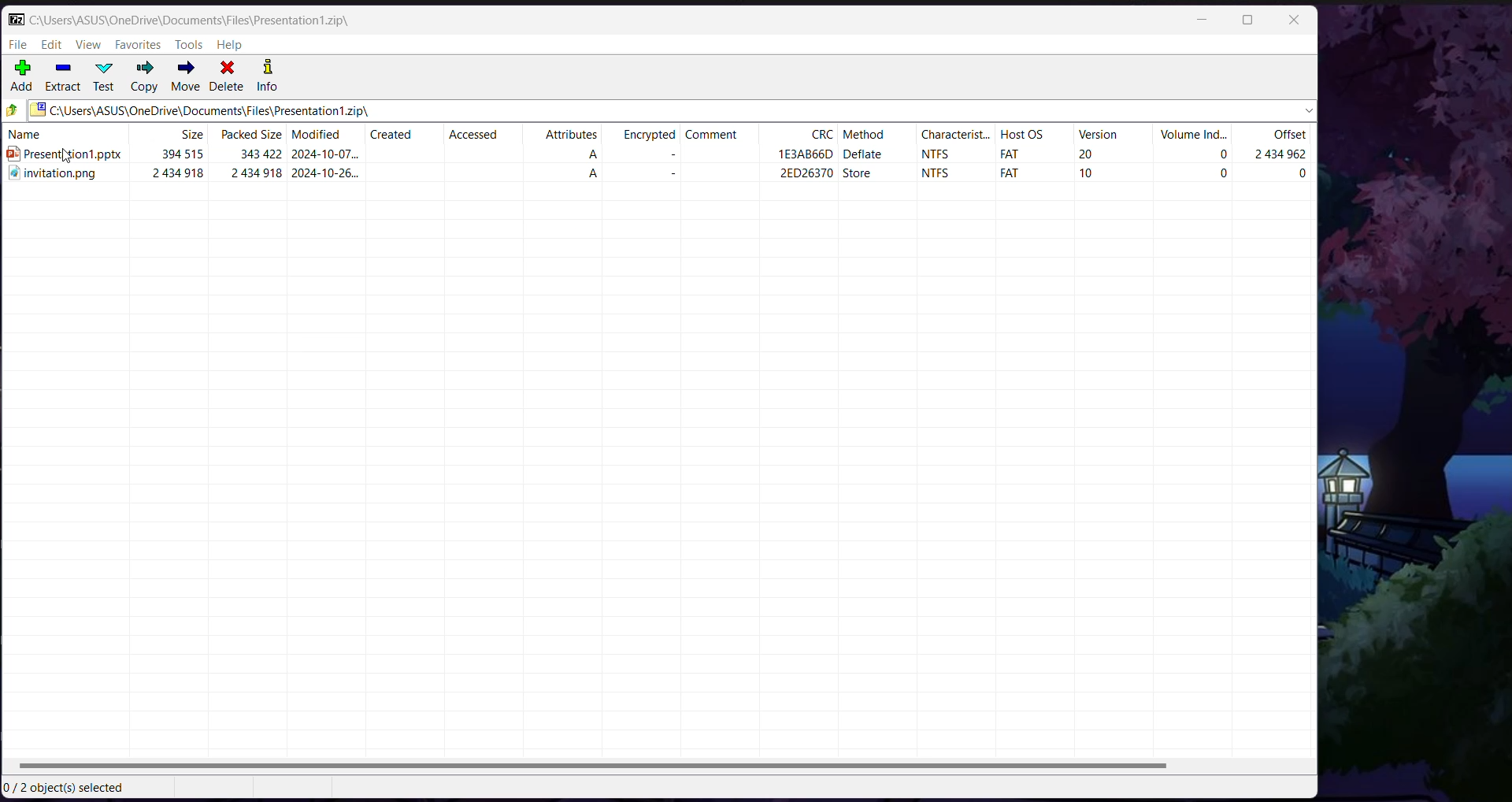  Describe the element at coordinates (249, 136) in the screenshot. I see ` Packed Size` at that location.